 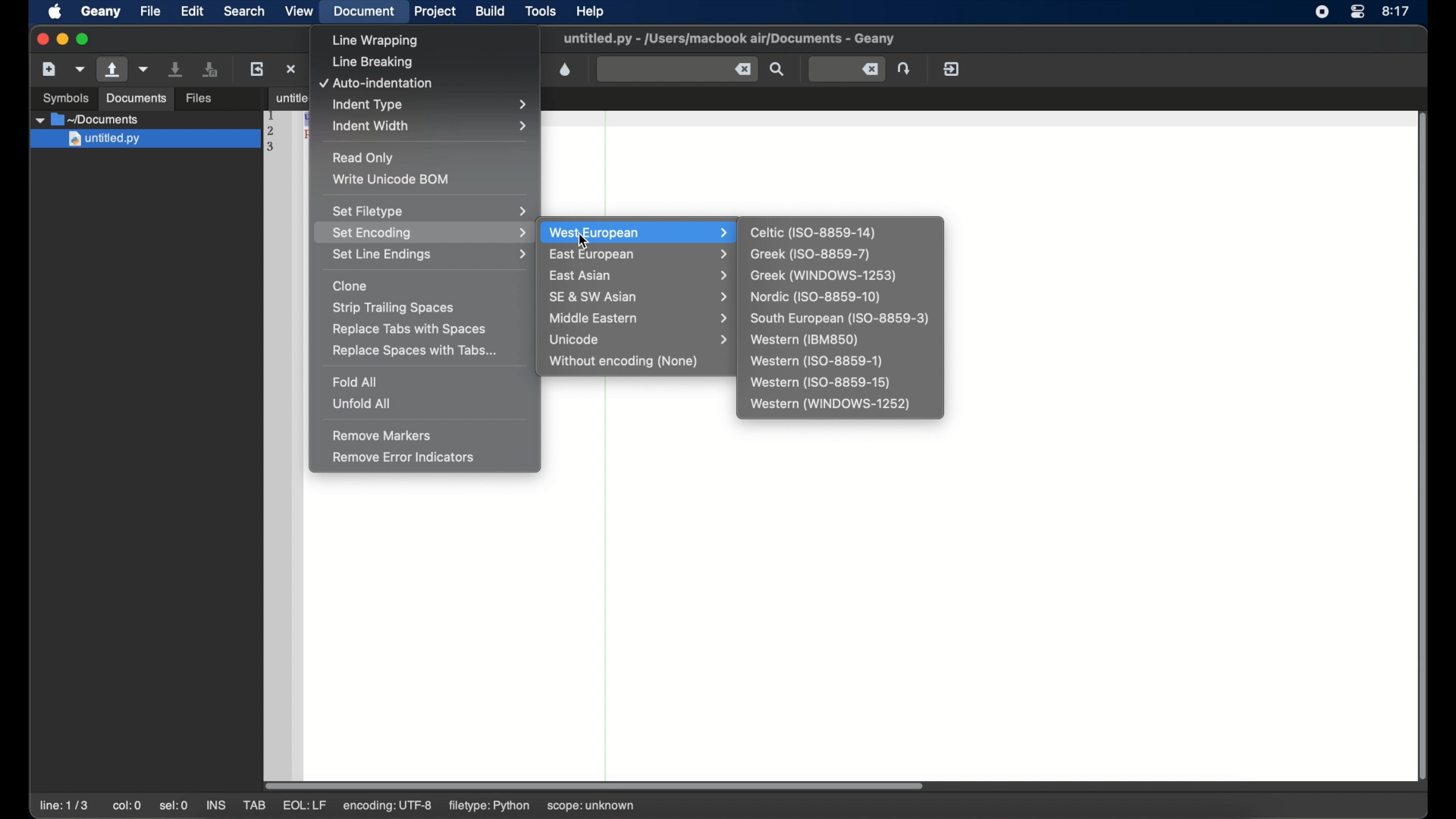 What do you see at coordinates (356, 381) in the screenshot?
I see `fold all` at bounding box center [356, 381].